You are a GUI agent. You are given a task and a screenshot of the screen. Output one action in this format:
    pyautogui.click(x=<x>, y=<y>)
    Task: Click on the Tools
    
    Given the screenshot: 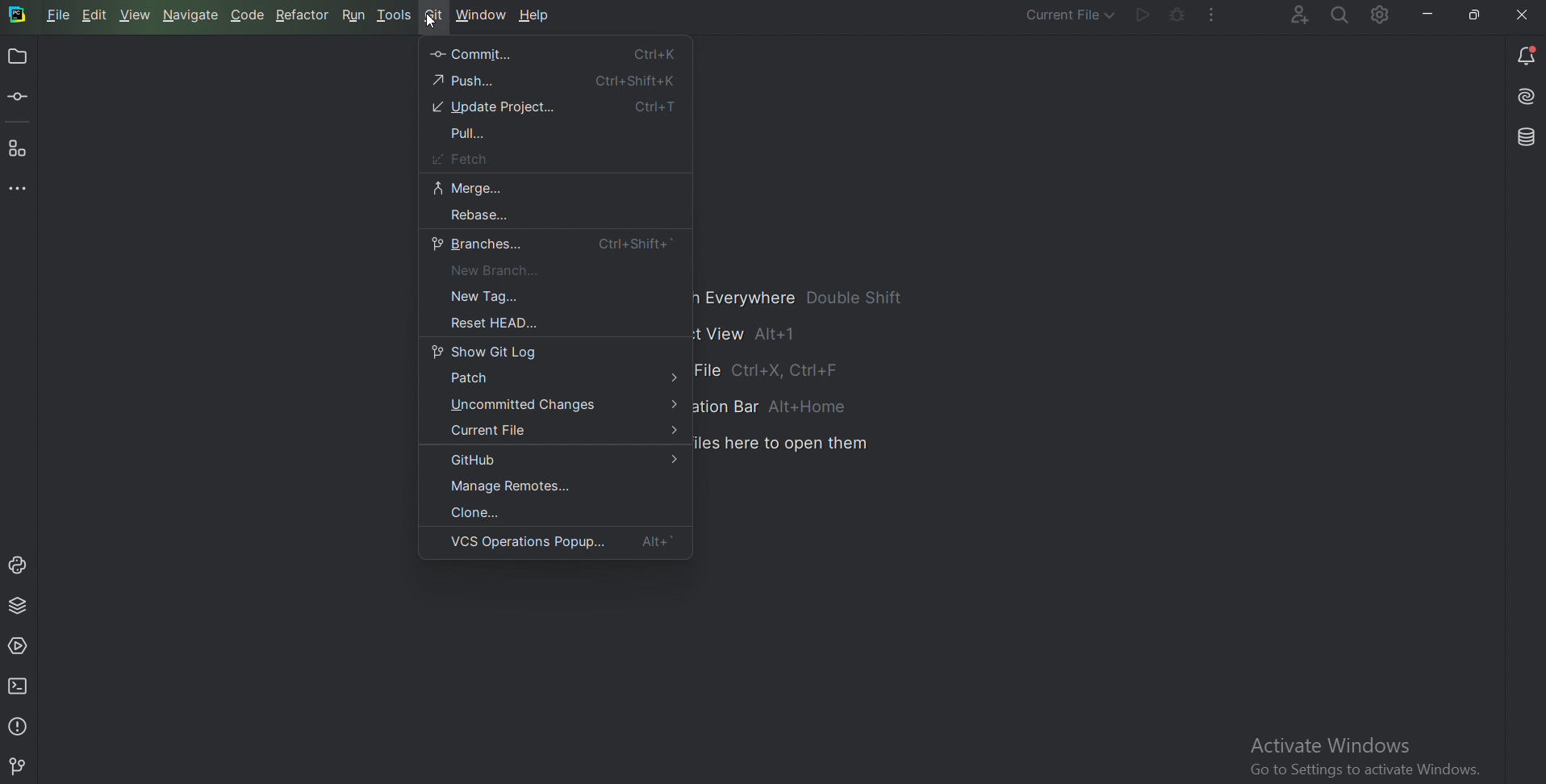 What is the action you would take?
    pyautogui.click(x=395, y=16)
    